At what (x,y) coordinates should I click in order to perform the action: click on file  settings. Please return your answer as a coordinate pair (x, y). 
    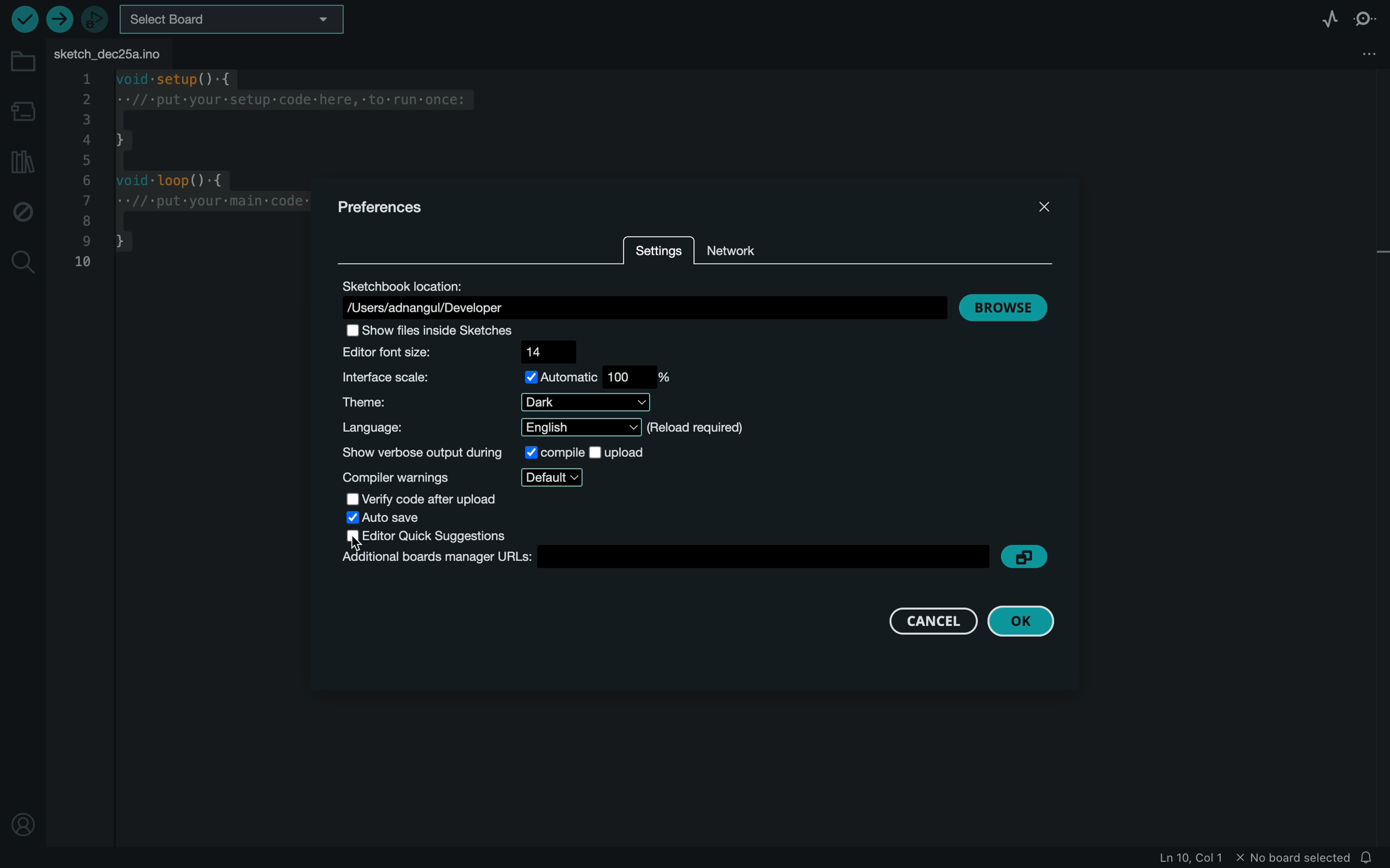
    Looking at the image, I should click on (1350, 55).